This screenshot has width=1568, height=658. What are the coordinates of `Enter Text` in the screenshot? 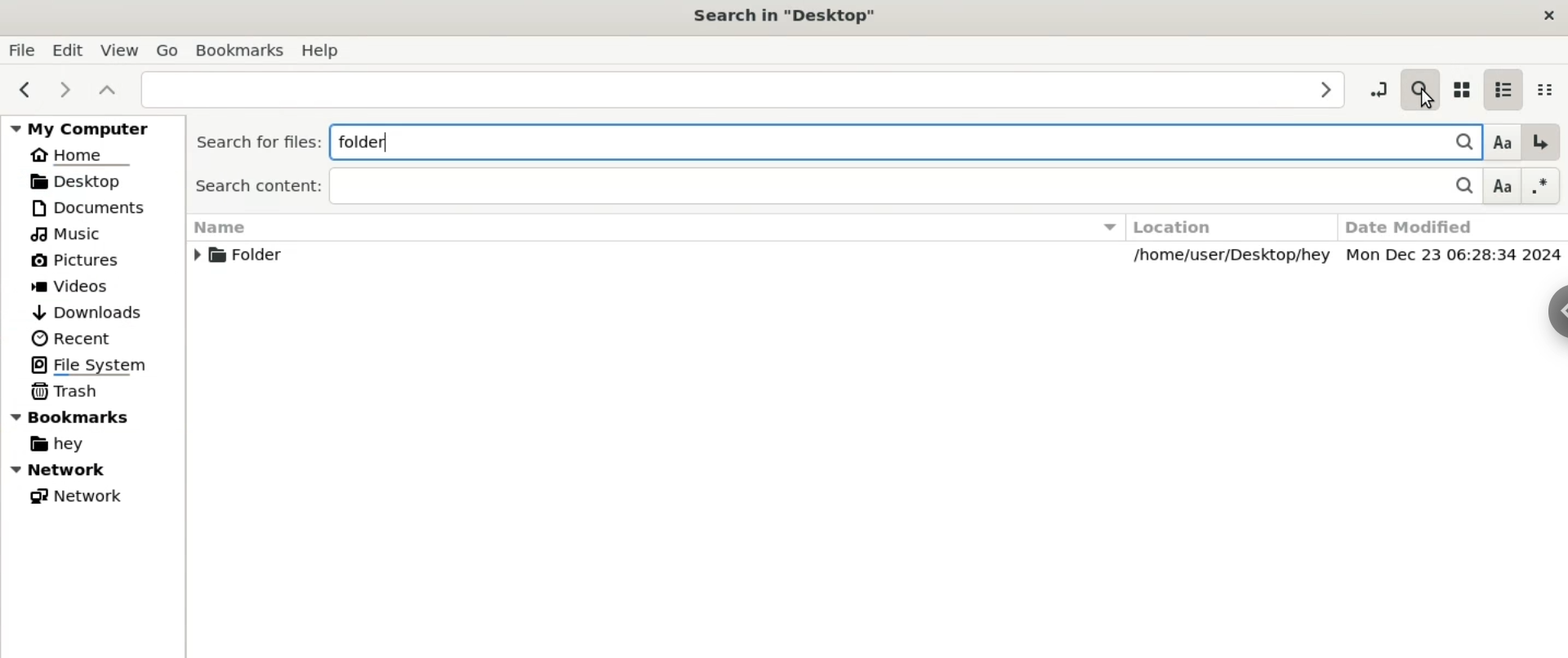 It's located at (745, 88).